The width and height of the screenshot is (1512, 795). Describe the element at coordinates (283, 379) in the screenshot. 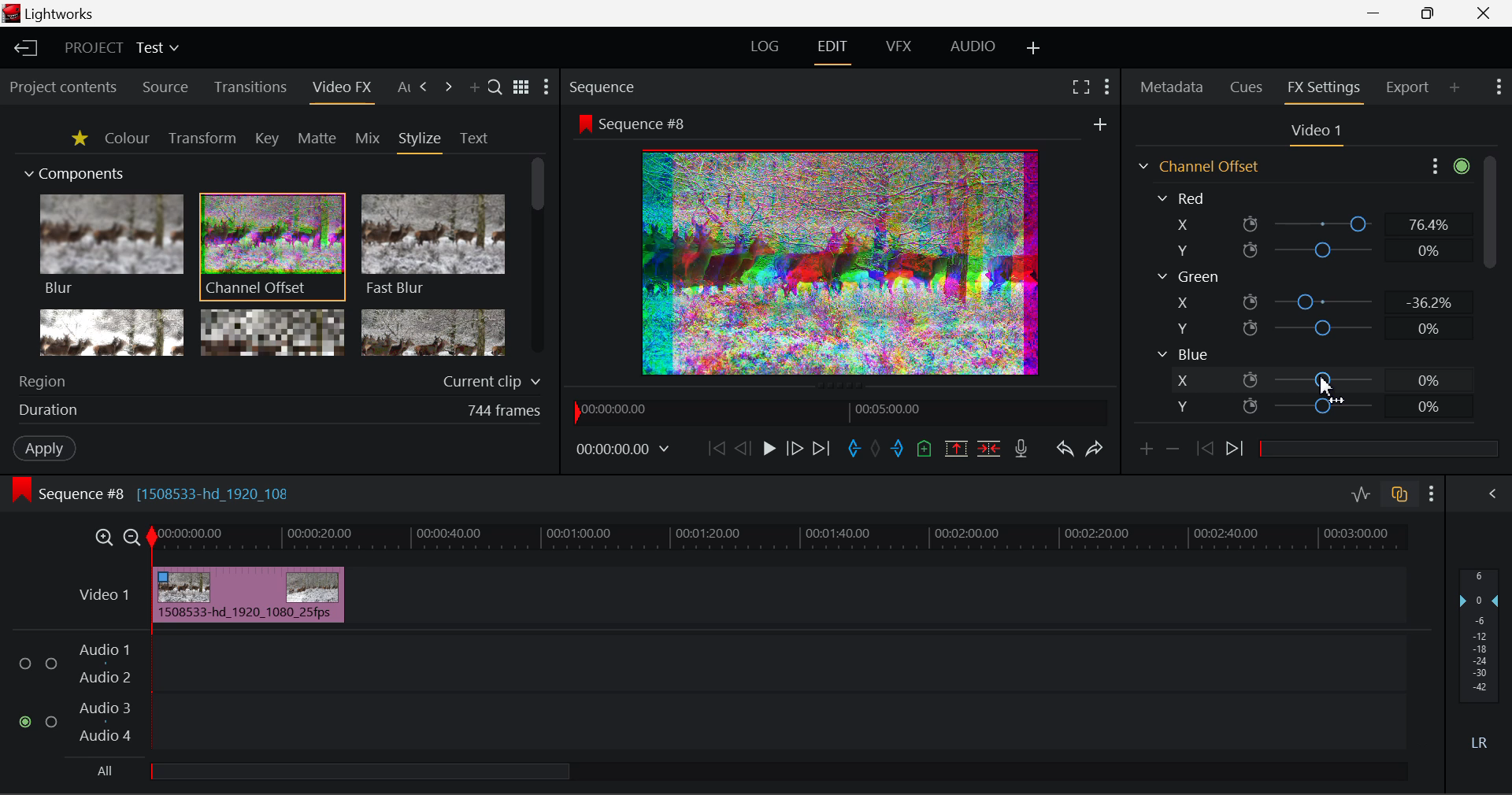

I see `Region` at that location.